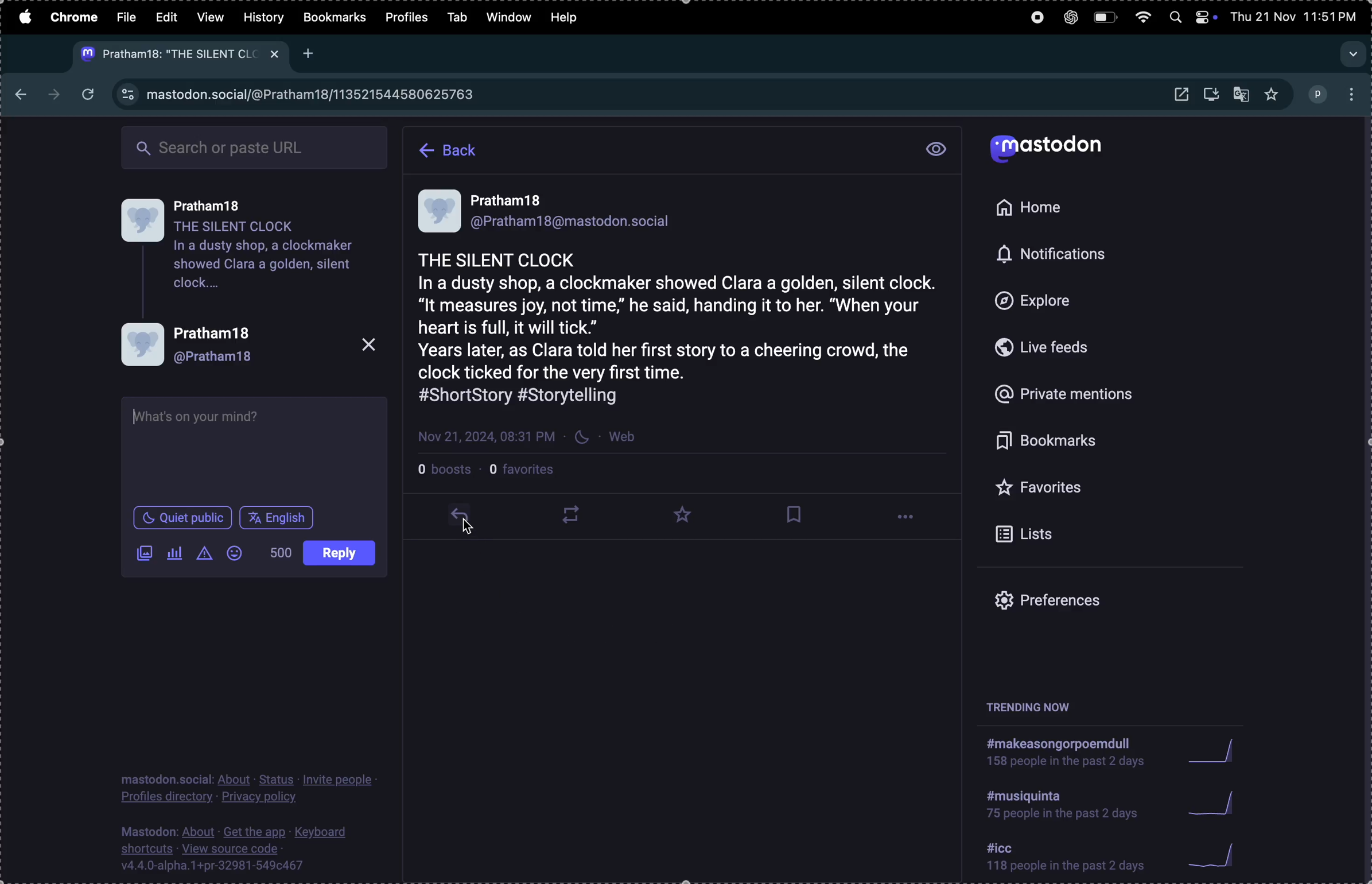 The width and height of the screenshot is (1372, 884). Describe the element at coordinates (209, 15) in the screenshot. I see `view` at that location.